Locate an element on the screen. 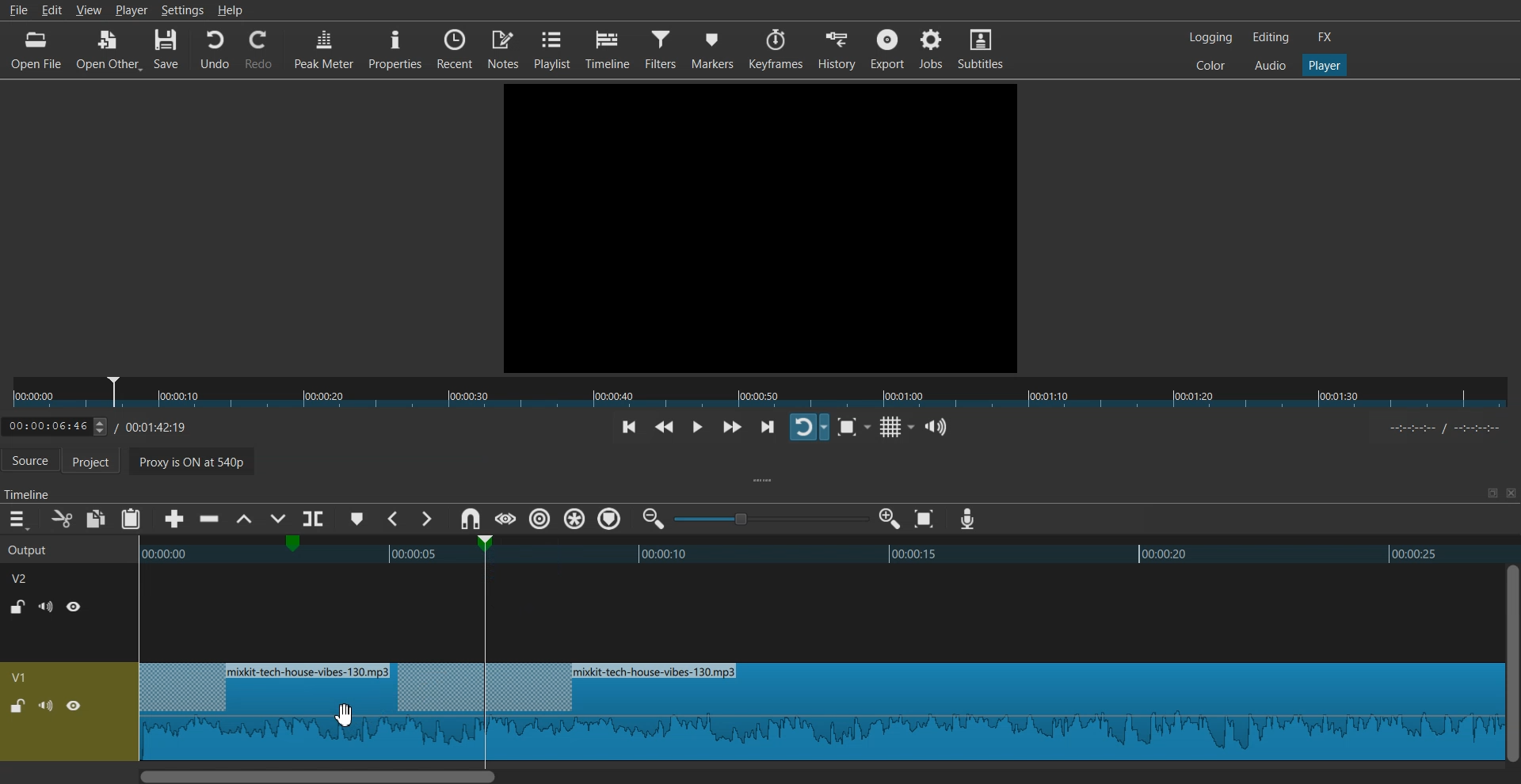 The image size is (1521, 784). Recent is located at coordinates (455, 48).